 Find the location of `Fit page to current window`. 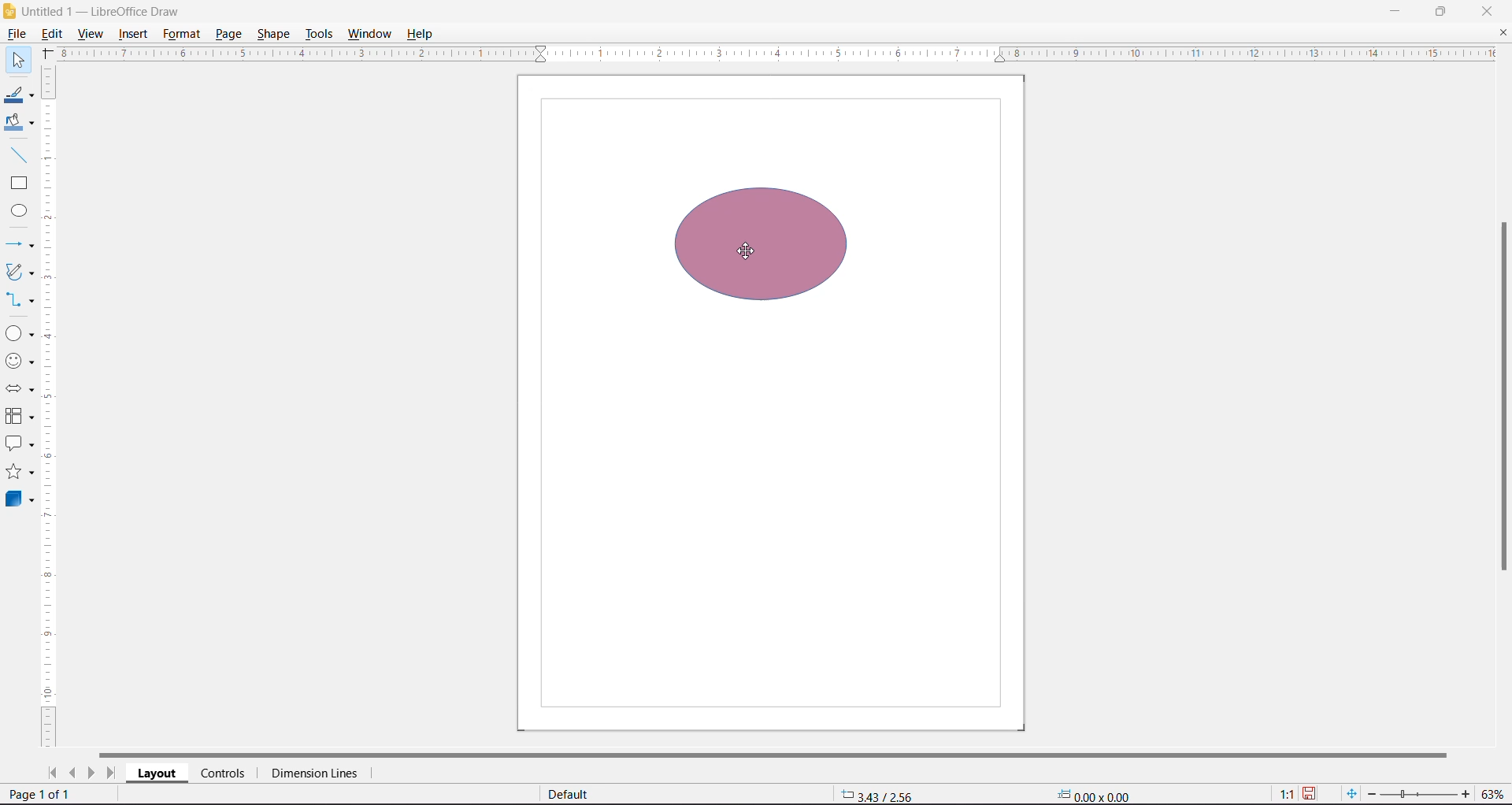

Fit page to current window is located at coordinates (1353, 794).